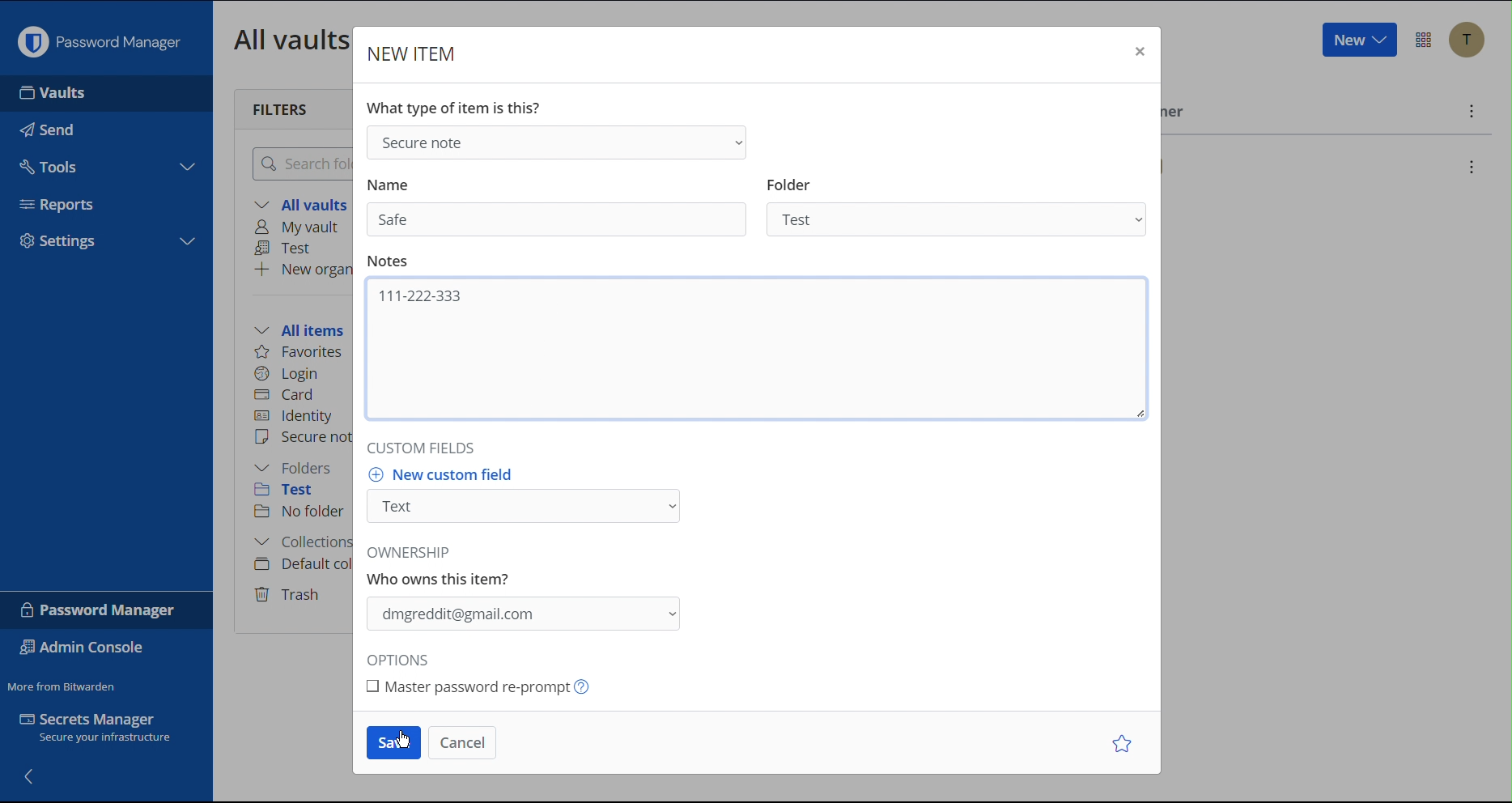 Image resolution: width=1512 pixels, height=803 pixels. Describe the element at coordinates (403, 661) in the screenshot. I see `Options` at that location.